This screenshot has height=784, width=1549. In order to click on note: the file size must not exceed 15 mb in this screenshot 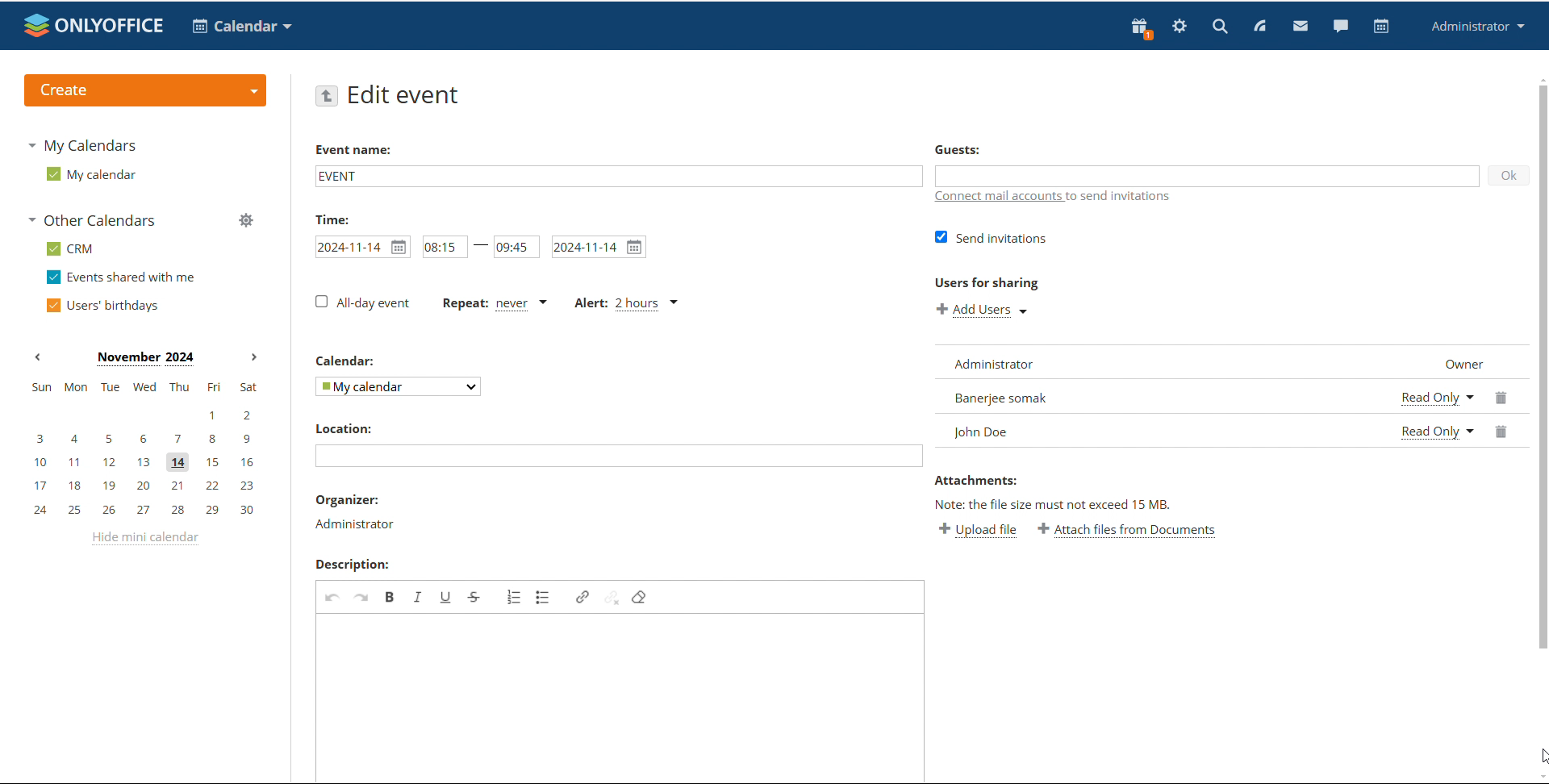, I will do `click(1058, 505)`.